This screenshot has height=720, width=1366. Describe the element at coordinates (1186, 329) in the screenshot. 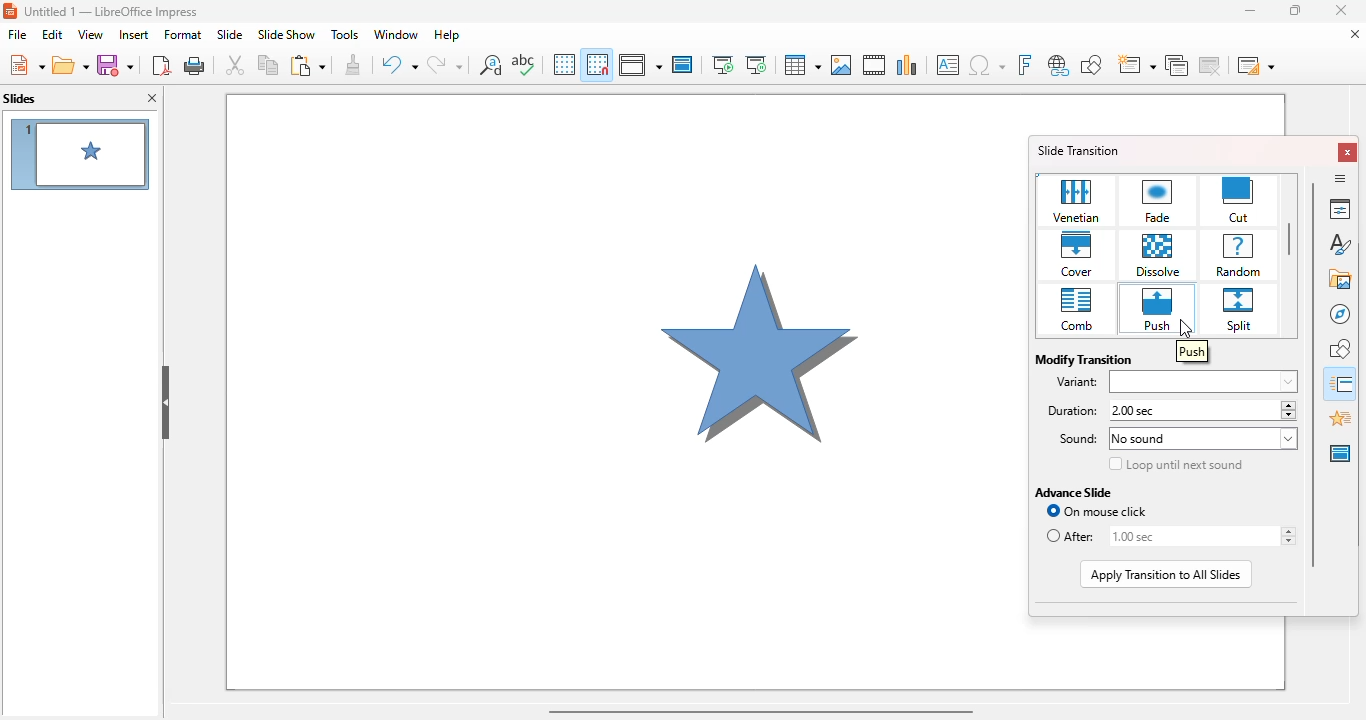

I see `cursor` at that location.